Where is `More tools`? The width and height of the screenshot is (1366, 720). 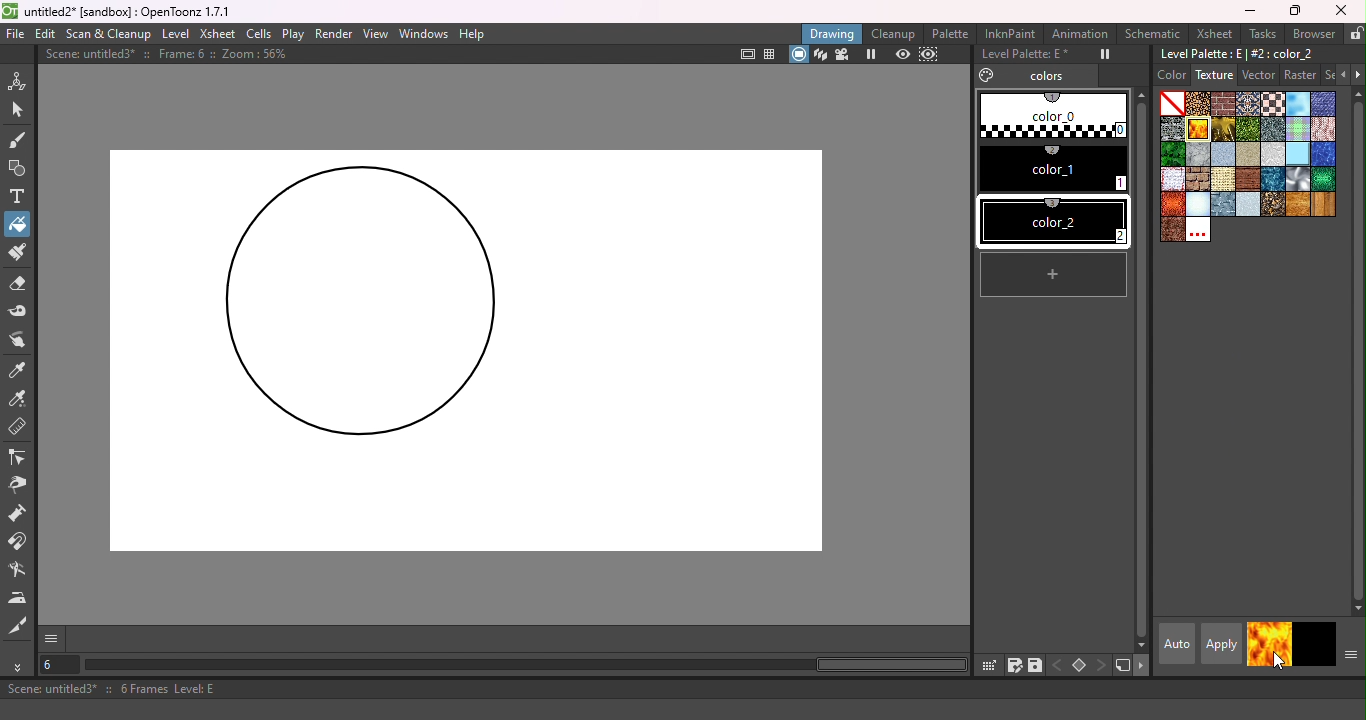
More tools is located at coordinates (20, 667).